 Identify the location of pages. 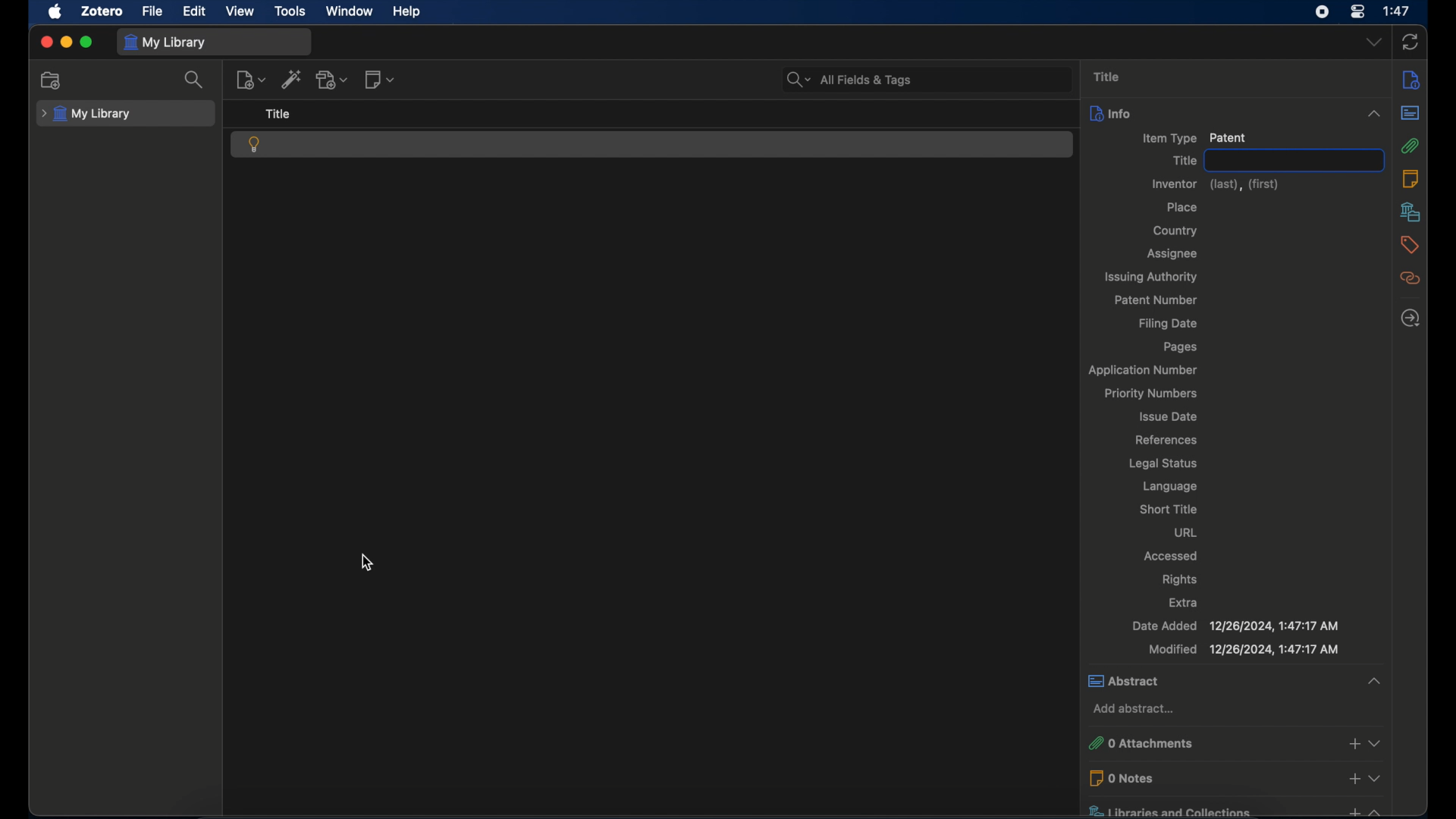
(1181, 347).